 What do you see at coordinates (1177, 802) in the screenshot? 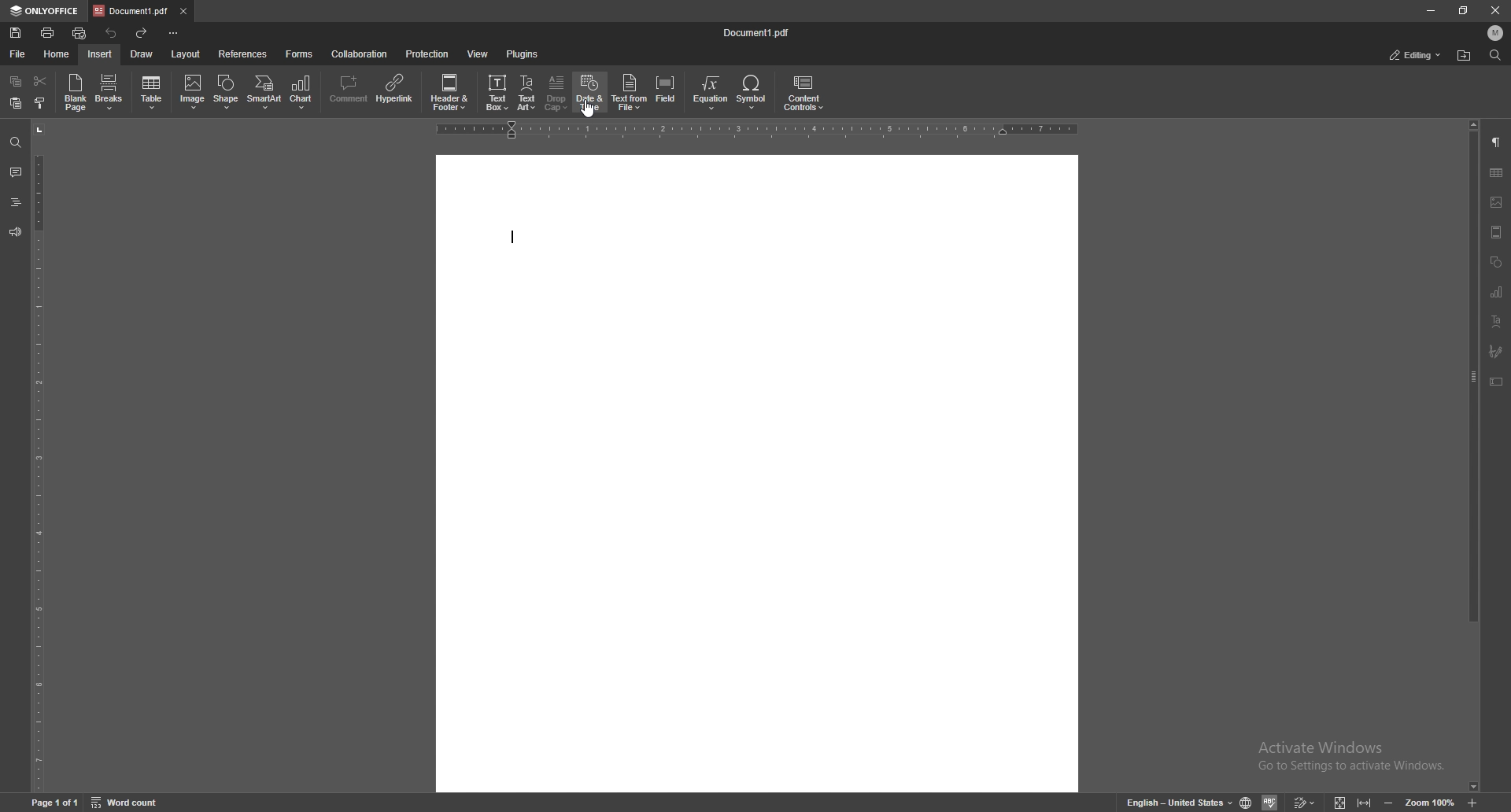
I see `set text language` at bounding box center [1177, 802].